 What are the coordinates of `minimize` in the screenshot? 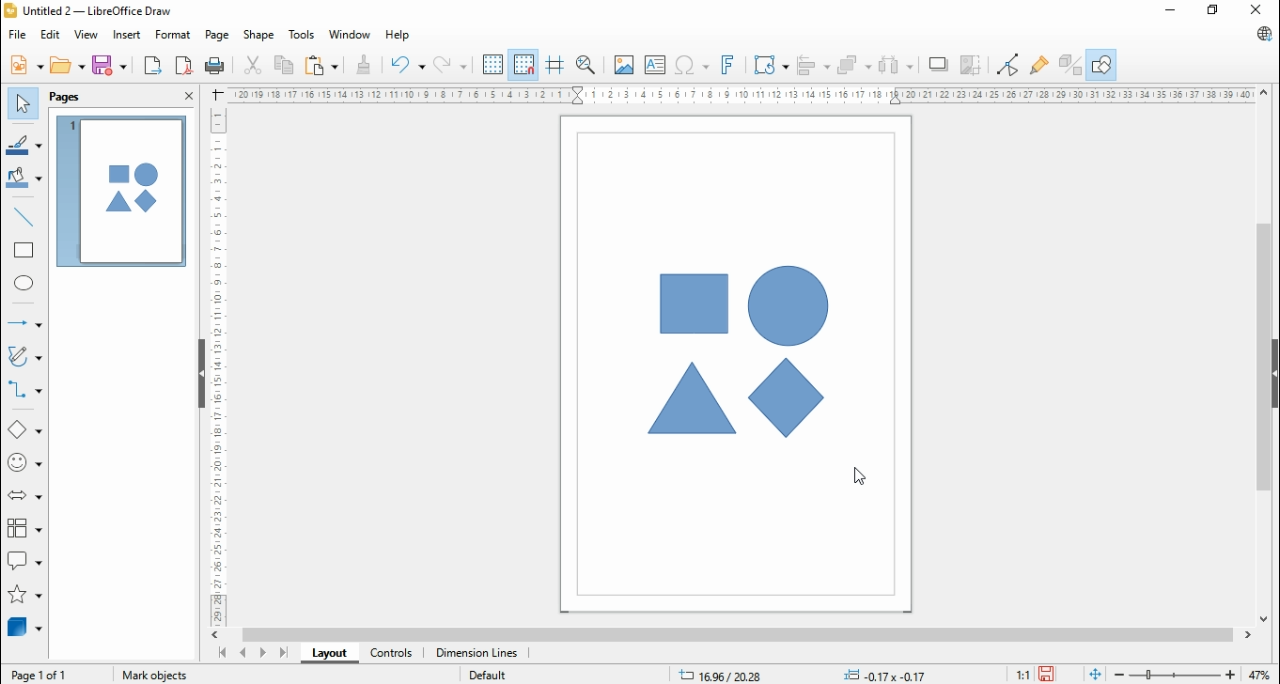 It's located at (1169, 10).